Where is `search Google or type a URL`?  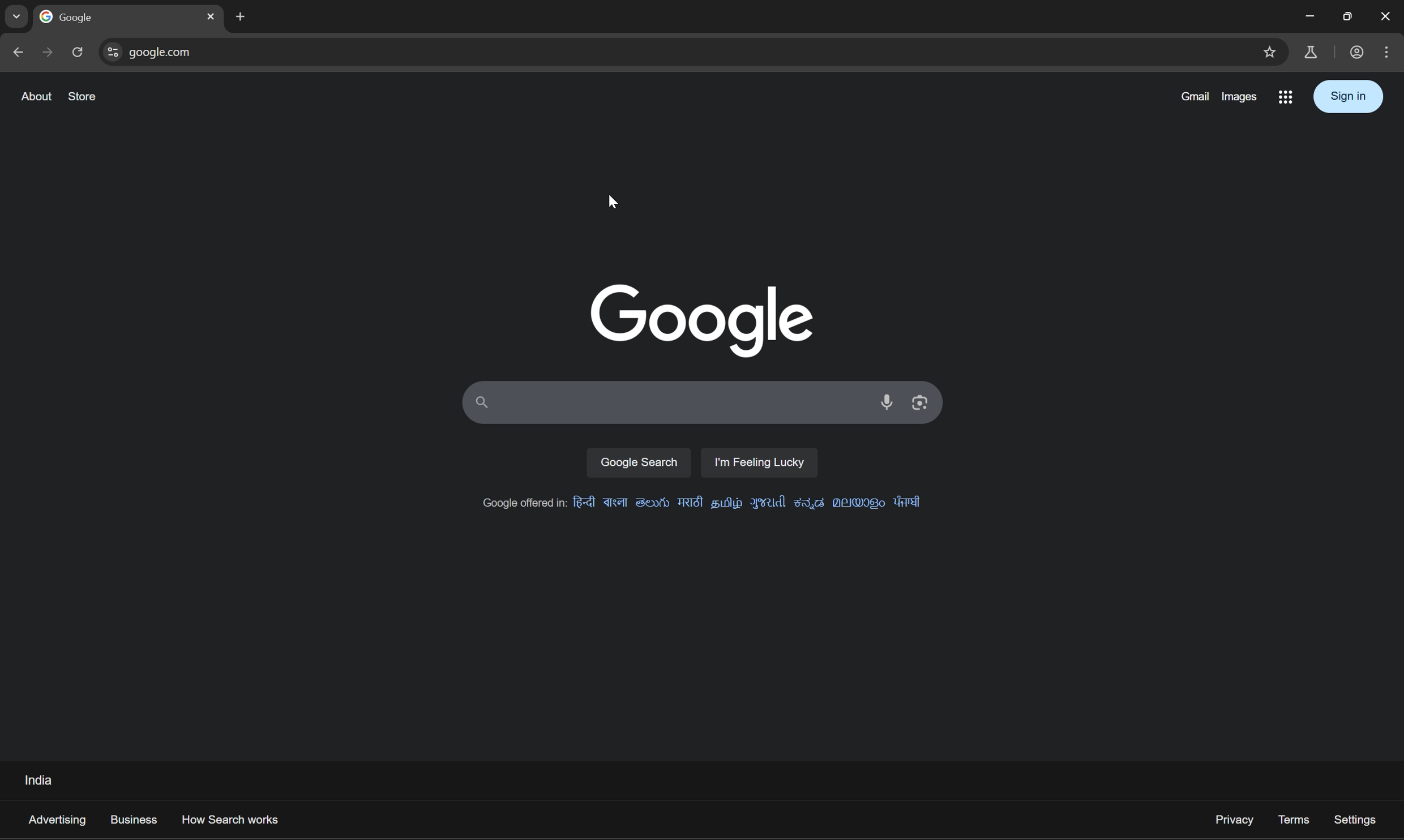 search Google or type a URL is located at coordinates (684, 50).